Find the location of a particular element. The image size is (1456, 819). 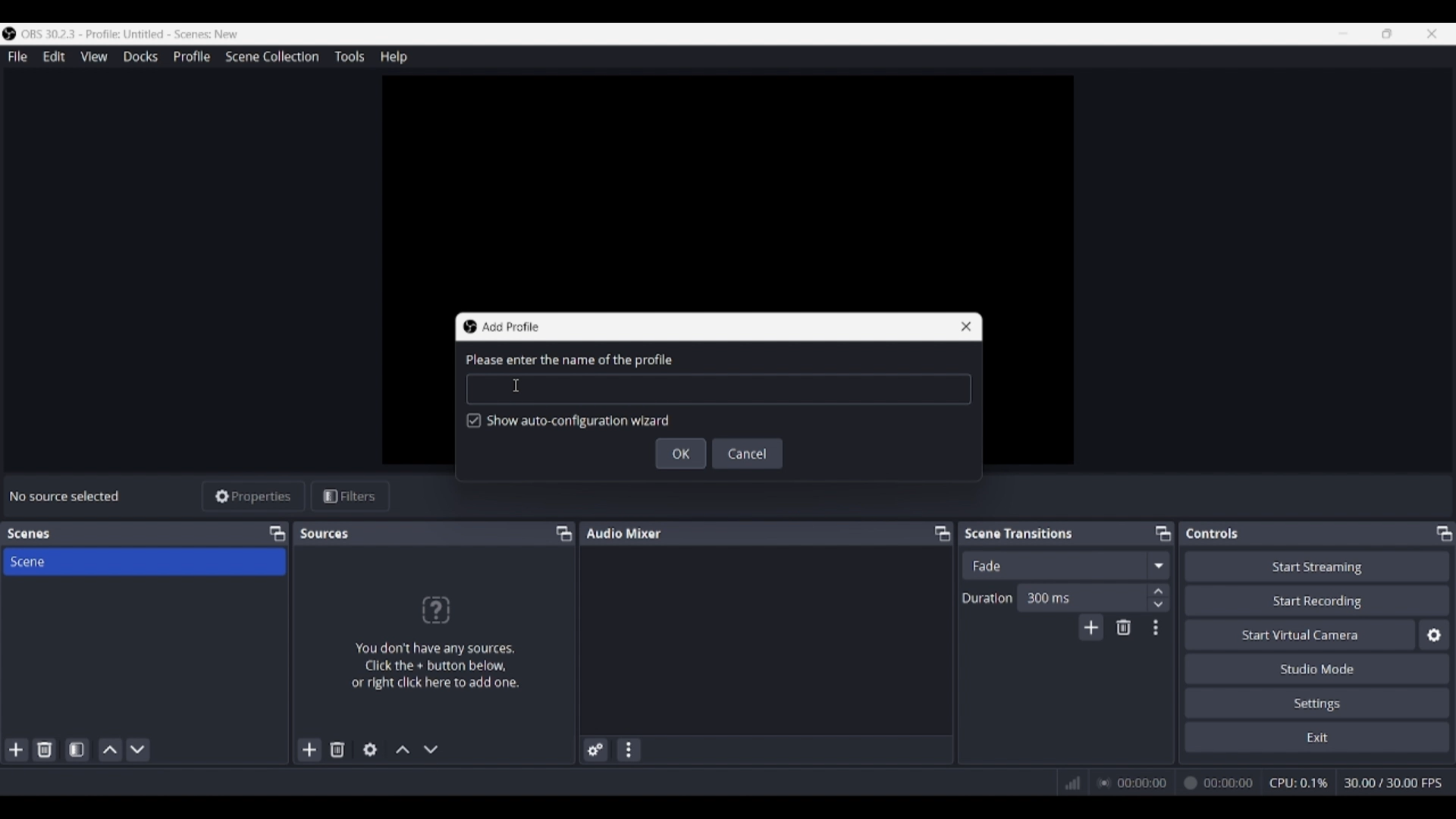

Properties is located at coordinates (254, 497).